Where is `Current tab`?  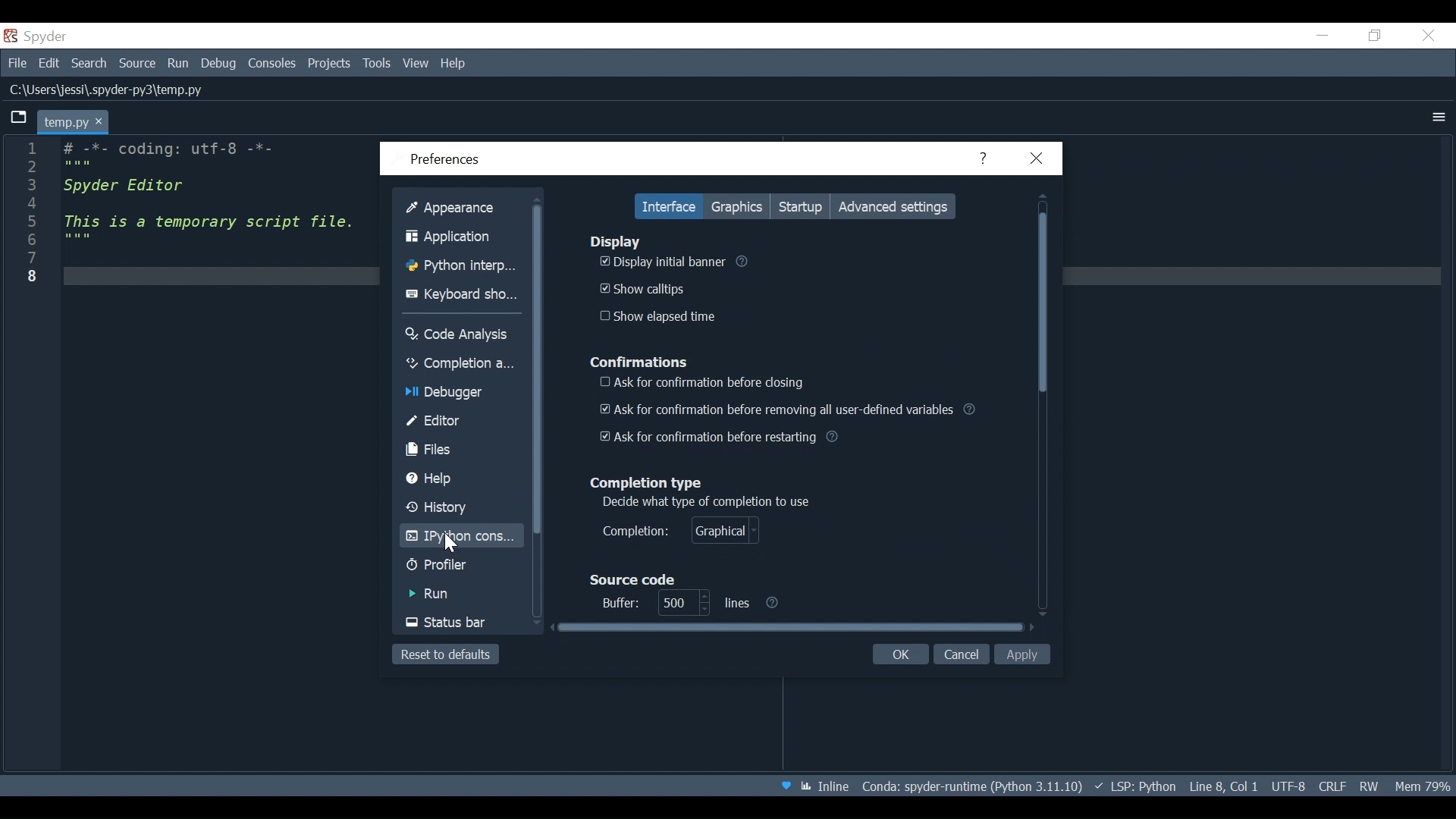 Current tab is located at coordinates (74, 121).